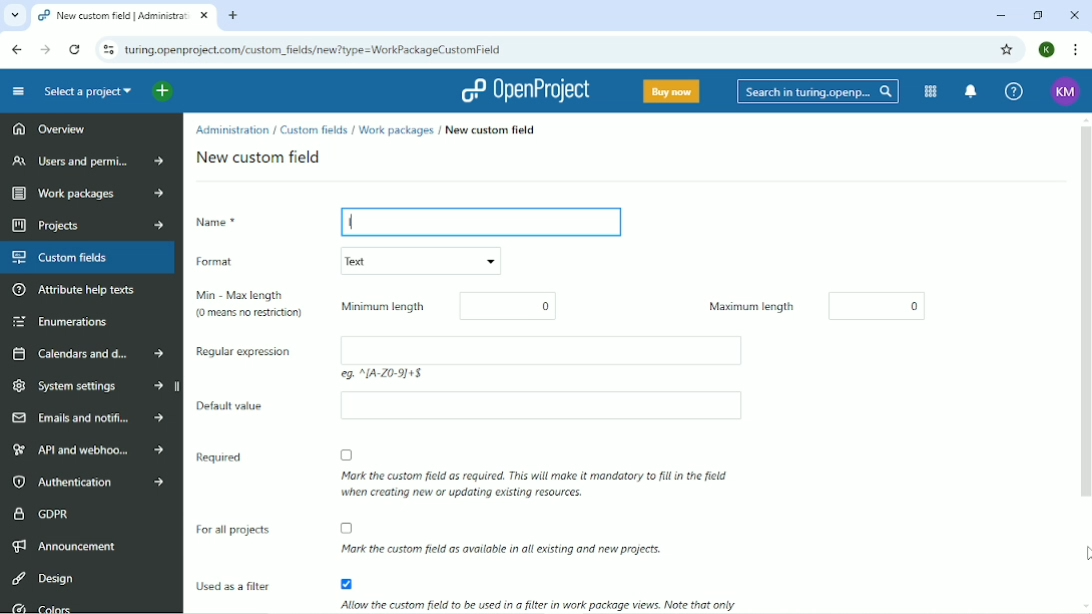 Image resolution: width=1092 pixels, height=614 pixels. Describe the element at coordinates (49, 127) in the screenshot. I see `Overview` at that location.